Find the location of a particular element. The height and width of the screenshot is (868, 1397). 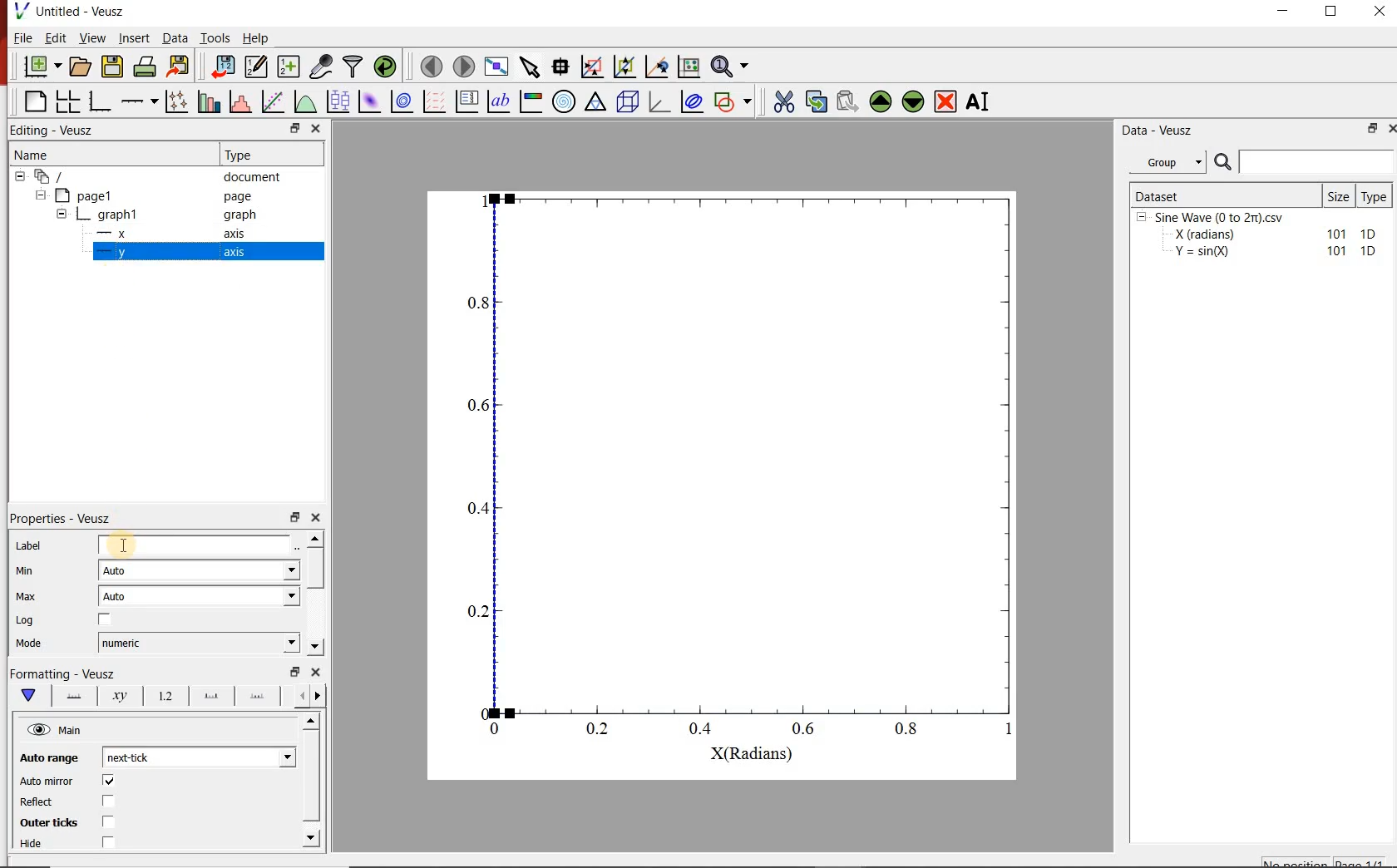

Group is located at coordinates (1172, 162).